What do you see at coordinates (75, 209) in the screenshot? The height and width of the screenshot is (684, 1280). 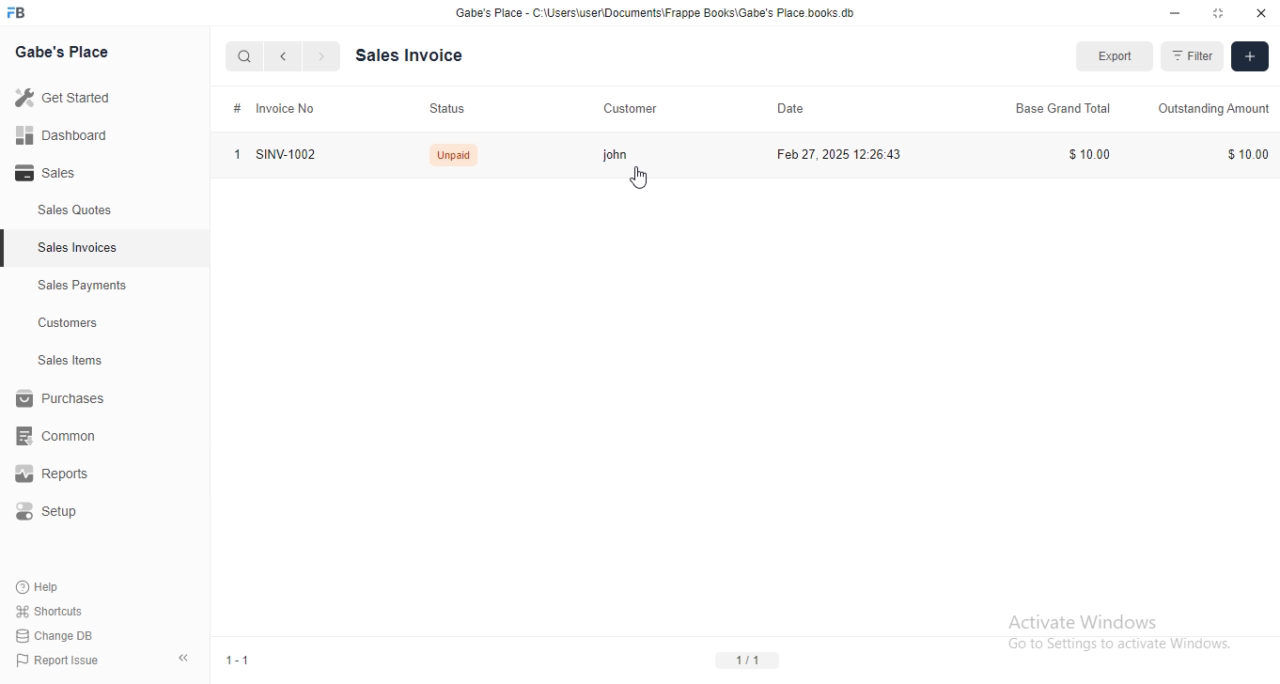 I see `sales quotes` at bounding box center [75, 209].